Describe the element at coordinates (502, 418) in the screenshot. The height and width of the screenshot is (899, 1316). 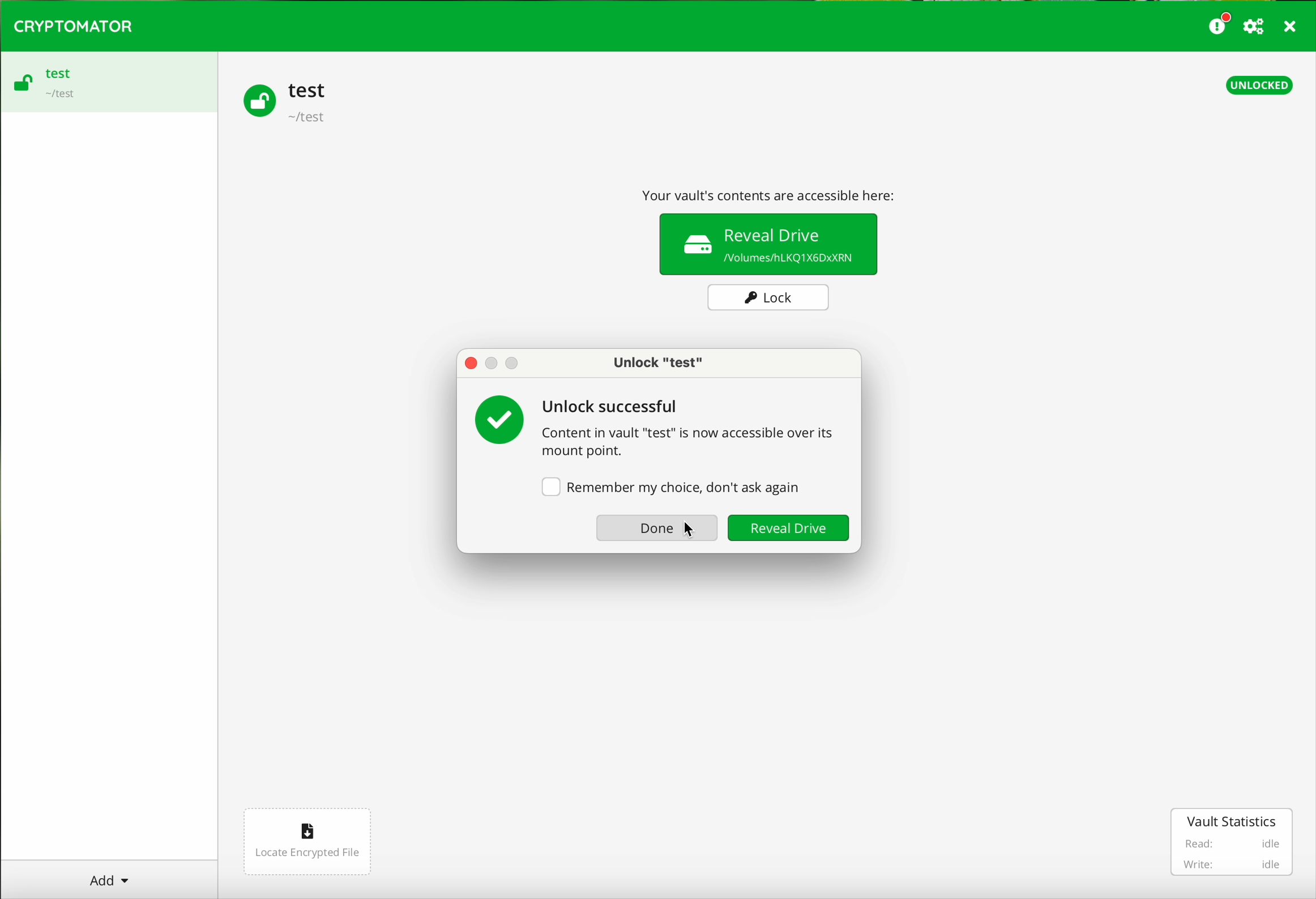
I see `green tick` at that location.